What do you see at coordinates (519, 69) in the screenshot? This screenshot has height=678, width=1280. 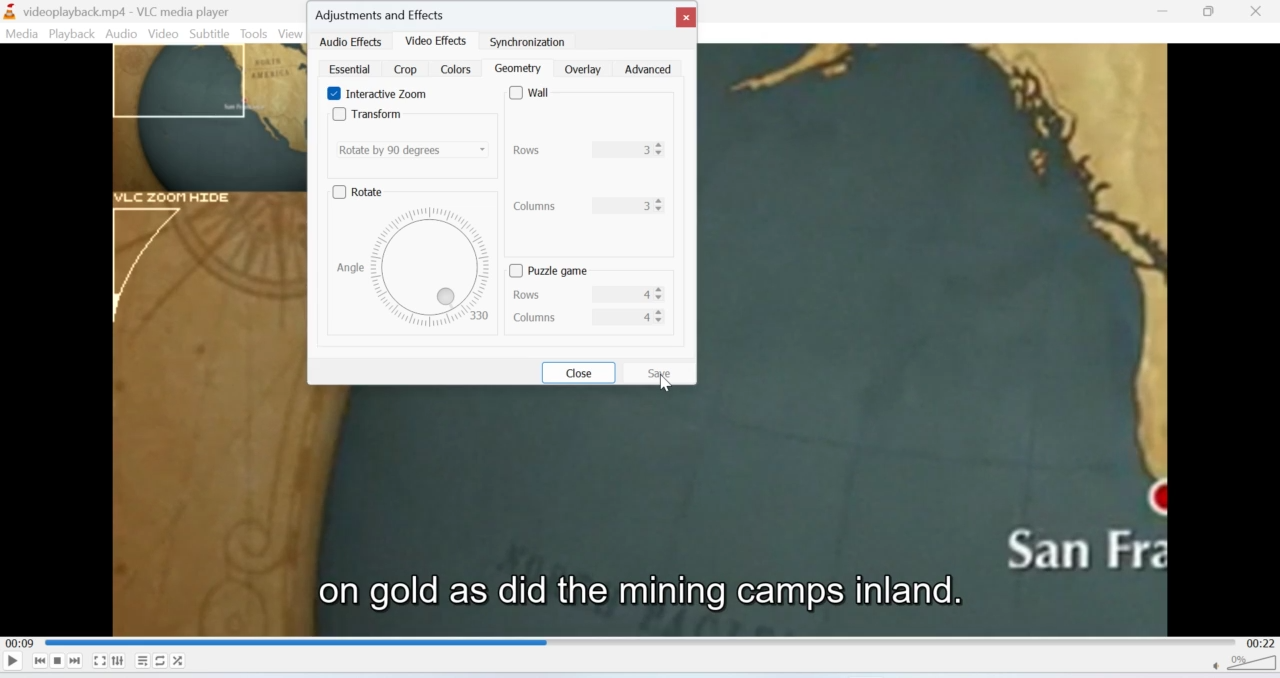 I see `geometry` at bounding box center [519, 69].